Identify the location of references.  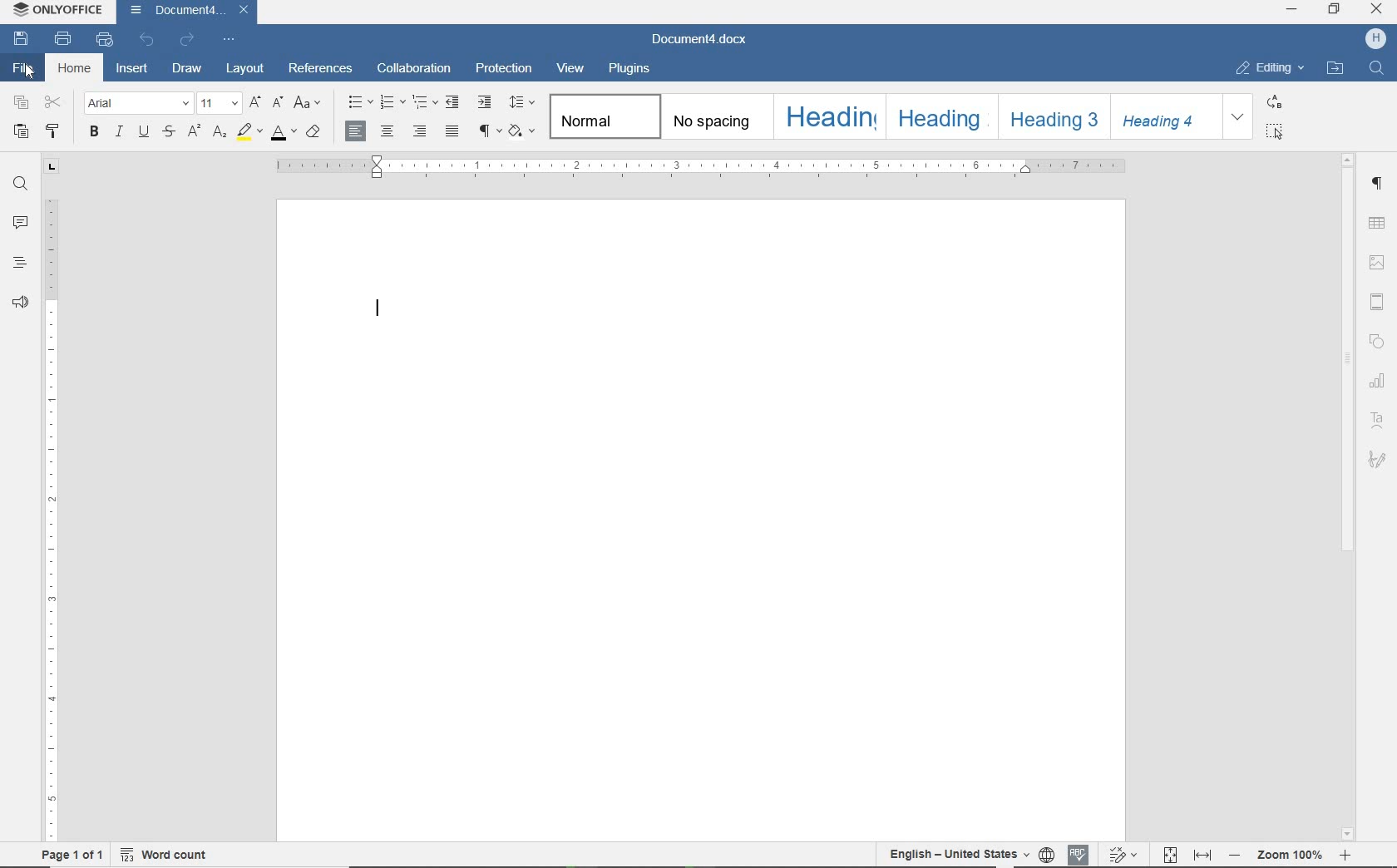
(323, 71).